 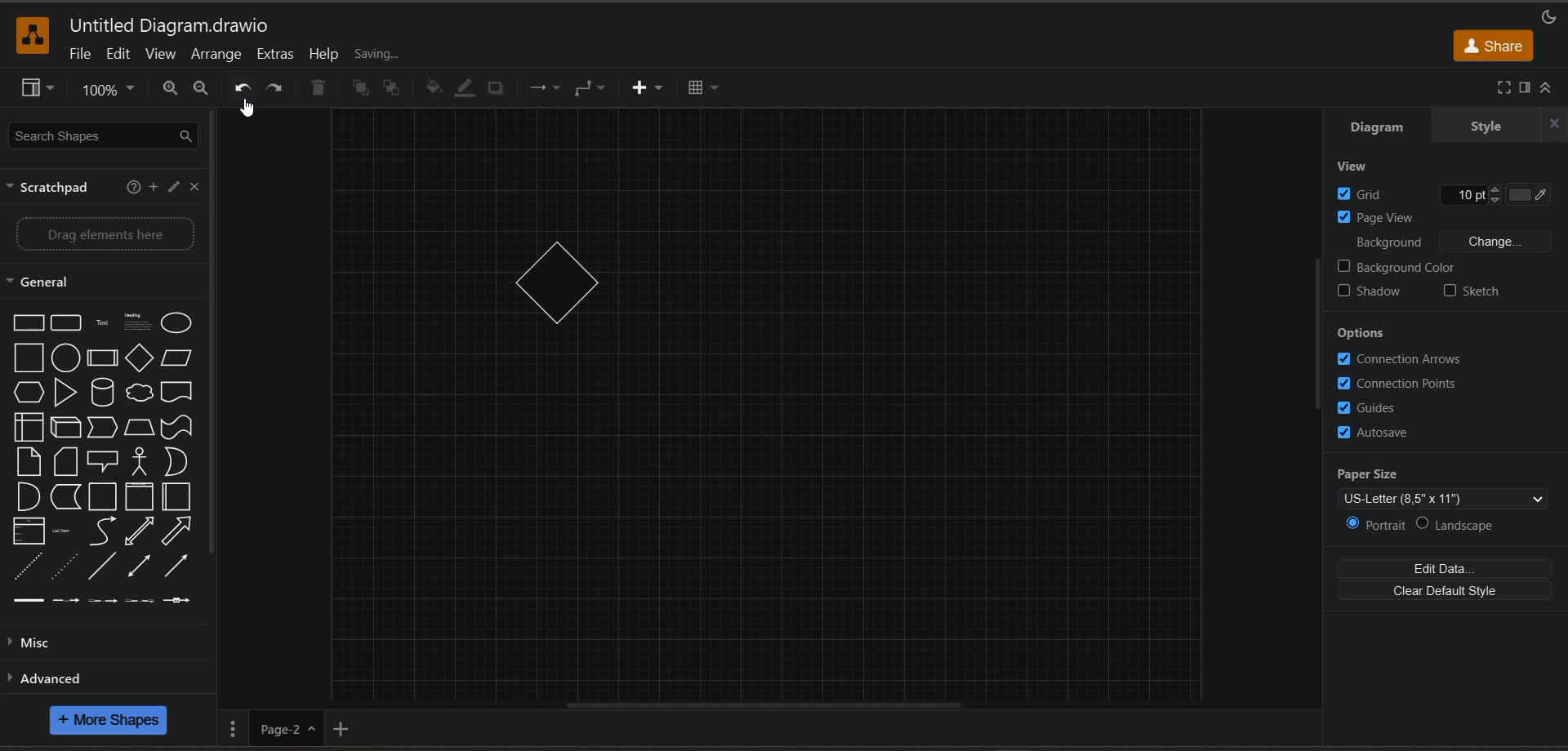 What do you see at coordinates (1454, 566) in the screenshot?
I see `edit data` at bounding box center [1454, 566].